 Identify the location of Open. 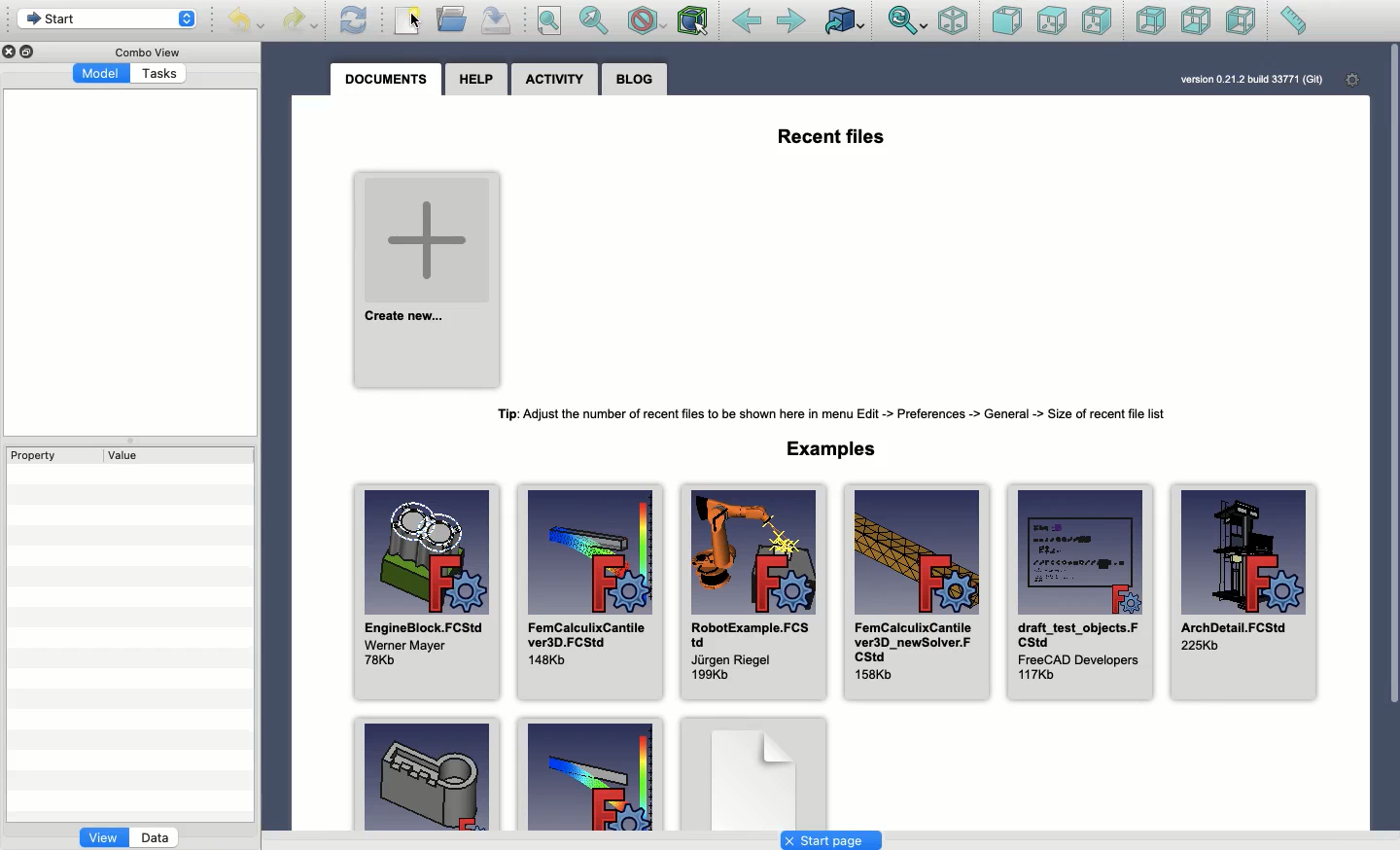
(454, 18).